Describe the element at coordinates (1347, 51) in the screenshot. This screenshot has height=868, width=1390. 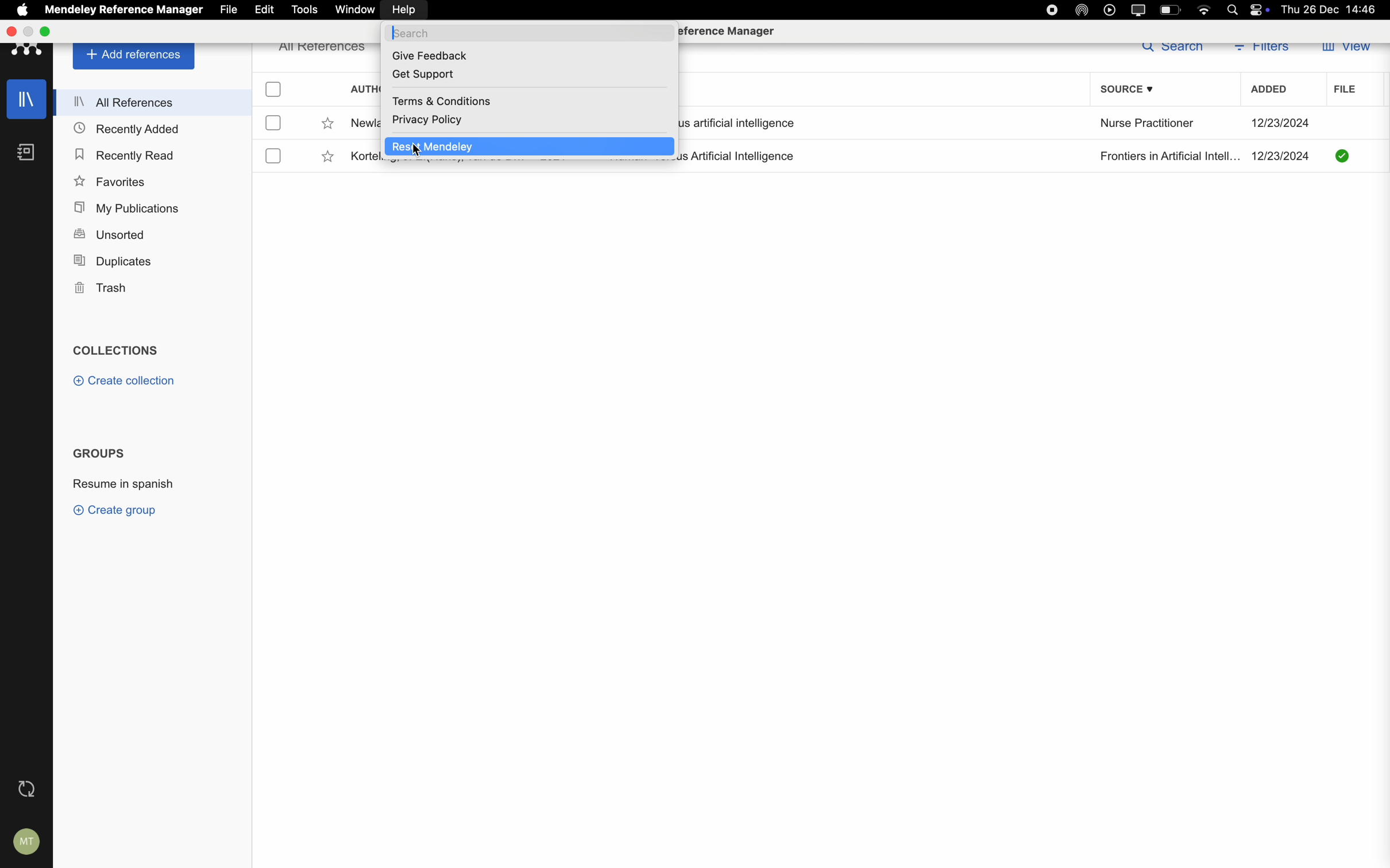
I see `view` at that location.